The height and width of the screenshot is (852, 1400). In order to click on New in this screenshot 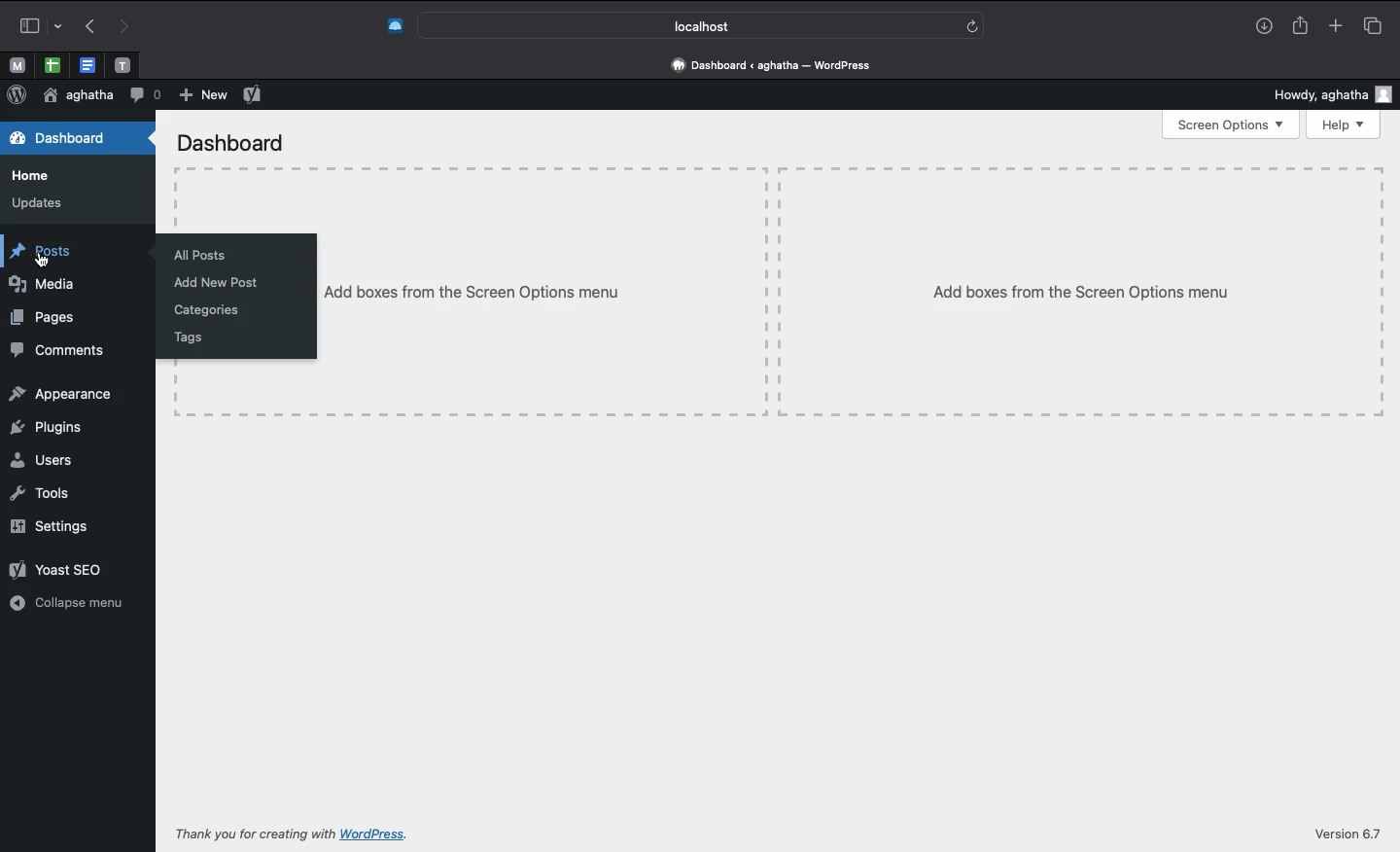, I will do `click(200, 95)`.